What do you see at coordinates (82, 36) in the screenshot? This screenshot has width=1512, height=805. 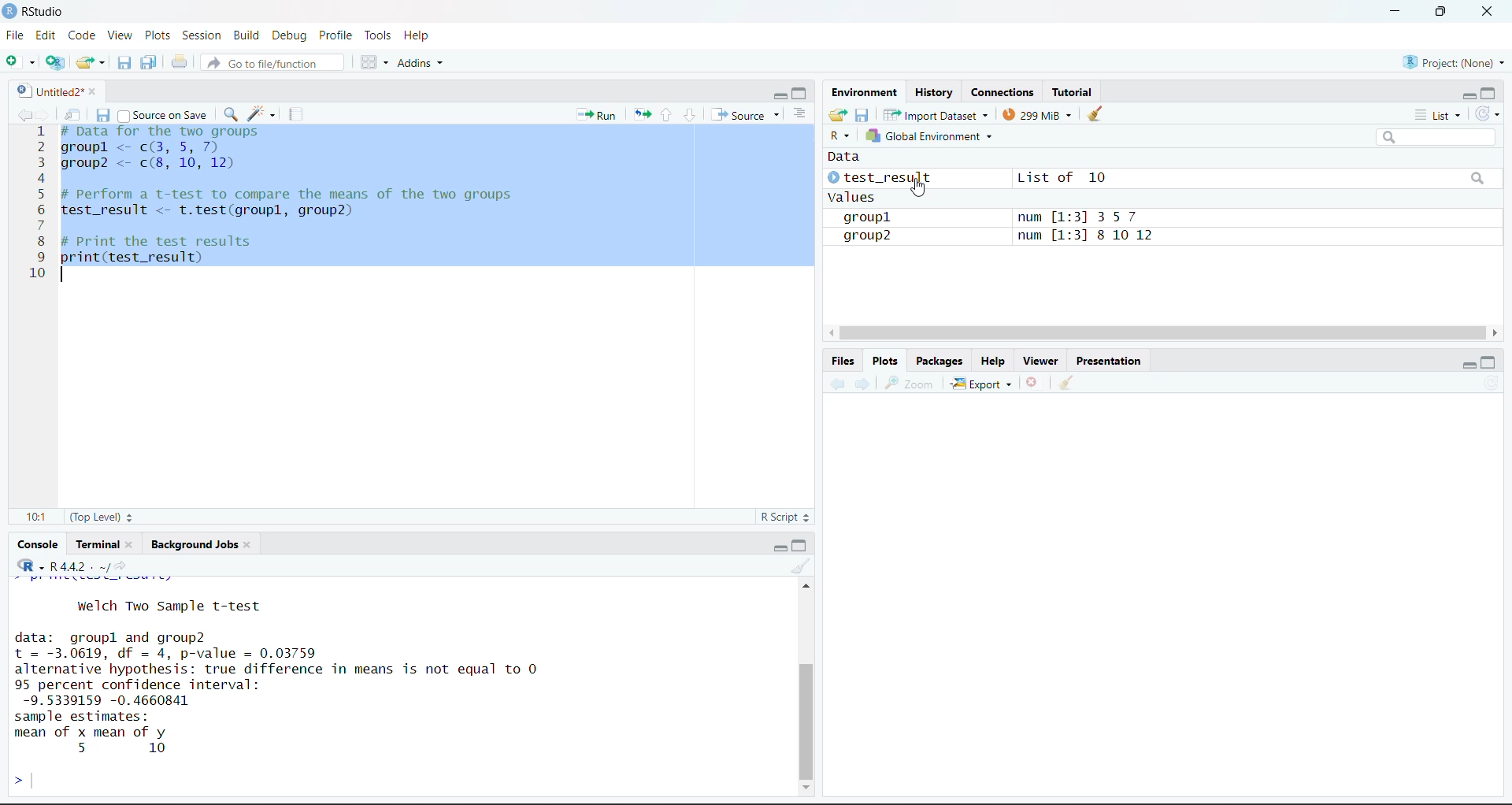 I see `Code` at bounding box center [82, 36].